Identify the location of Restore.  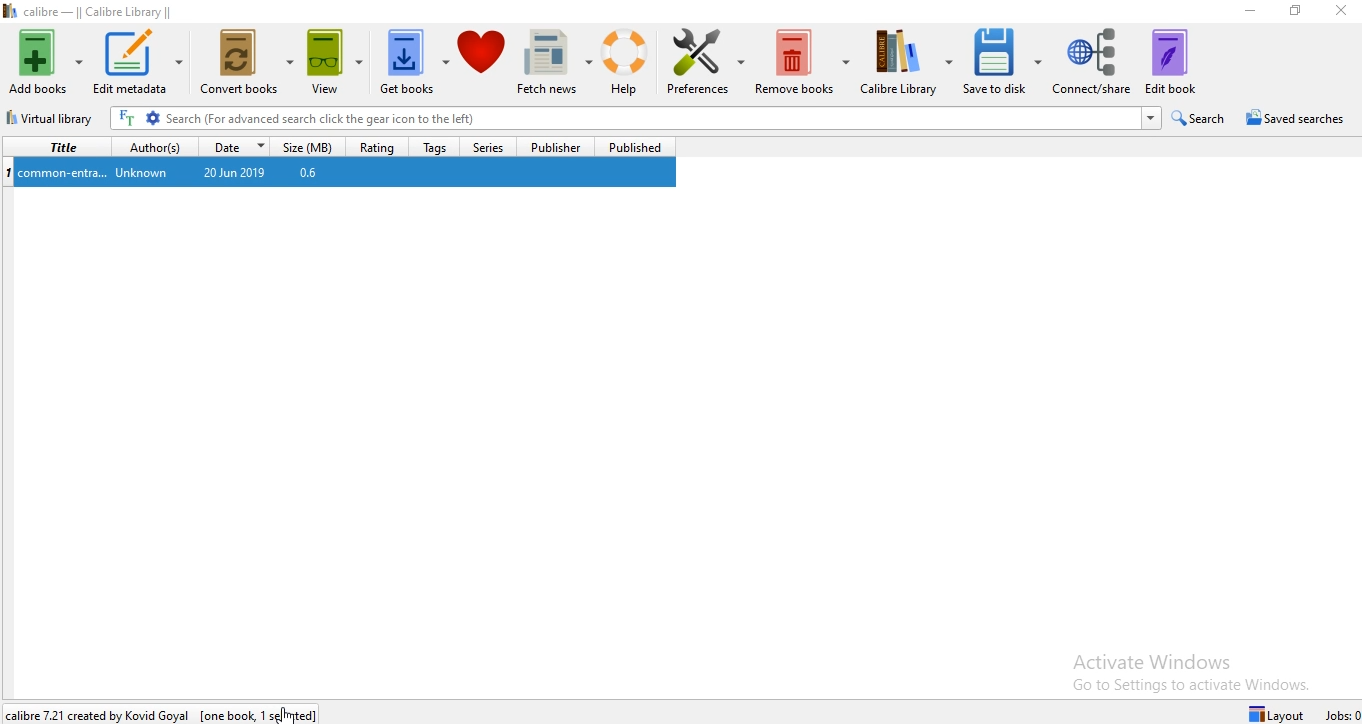
(1295, 11).